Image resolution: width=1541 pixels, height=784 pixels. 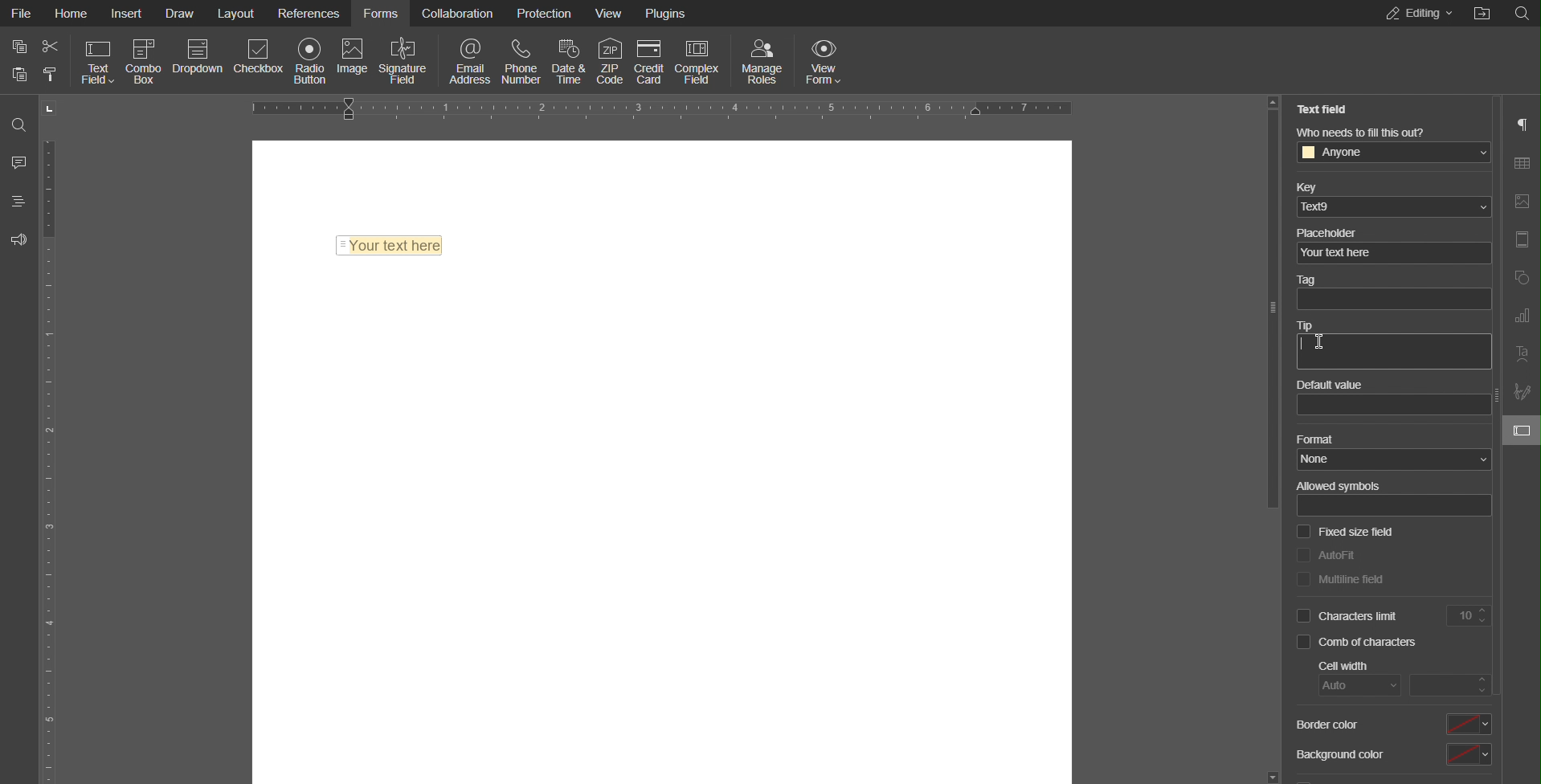 What do you see at coordinates (1388, 188) in the screenshot?
I see `Key` at bounding box center [1388, 188].